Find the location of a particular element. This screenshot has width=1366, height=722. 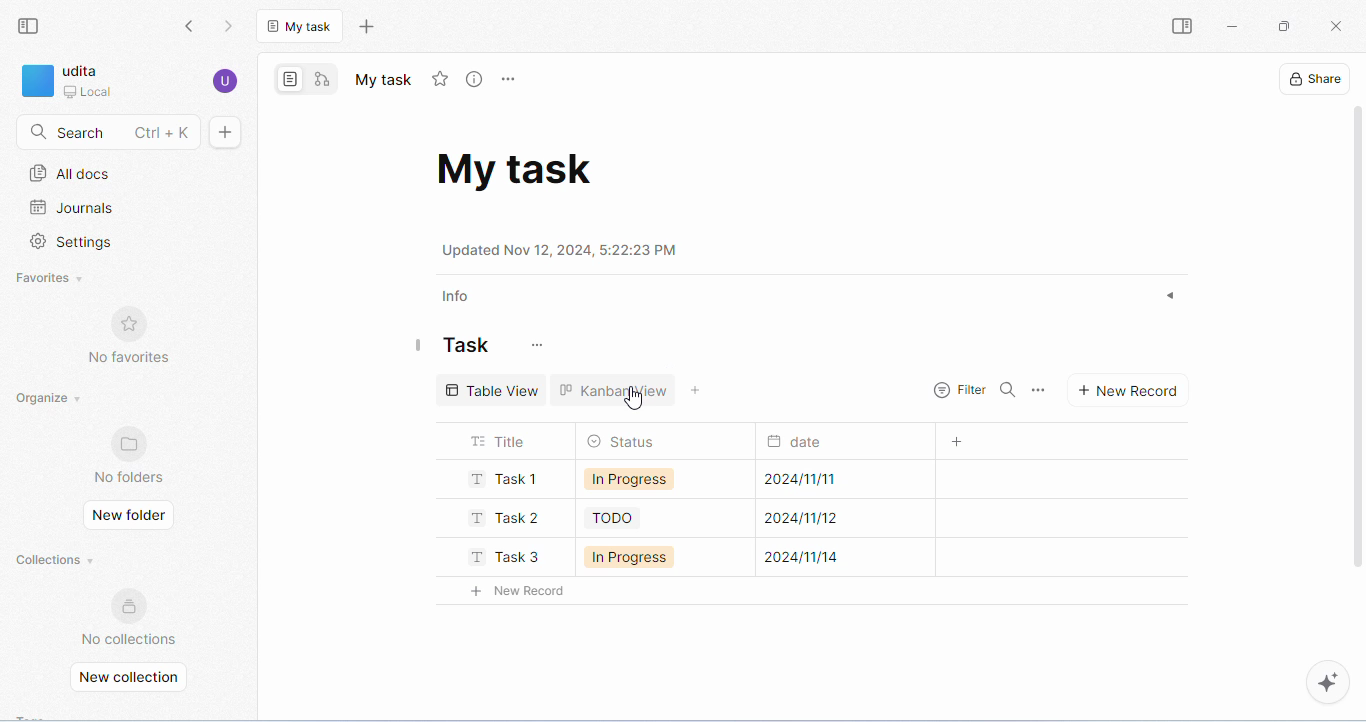

all docs is located at coordinates (70, 173).